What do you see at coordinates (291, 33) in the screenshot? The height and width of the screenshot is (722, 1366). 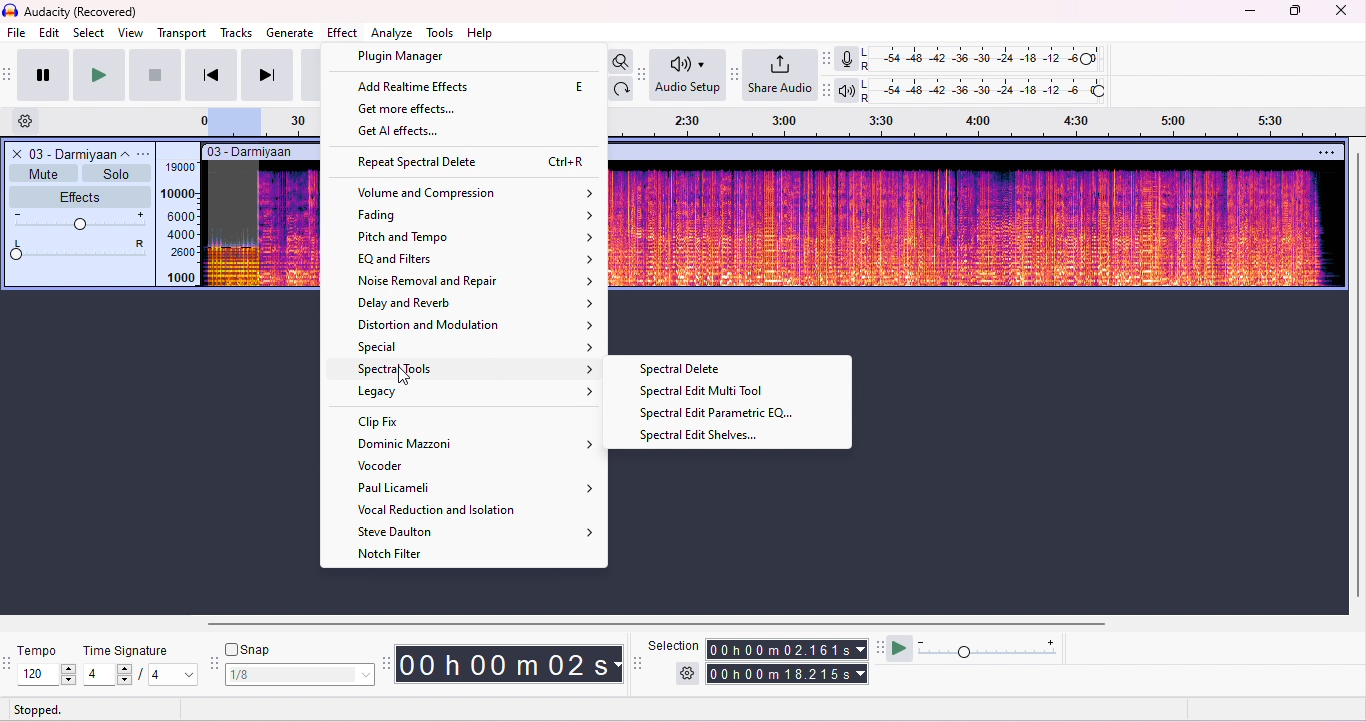 I see `generate` at bounding box center [291, 33].